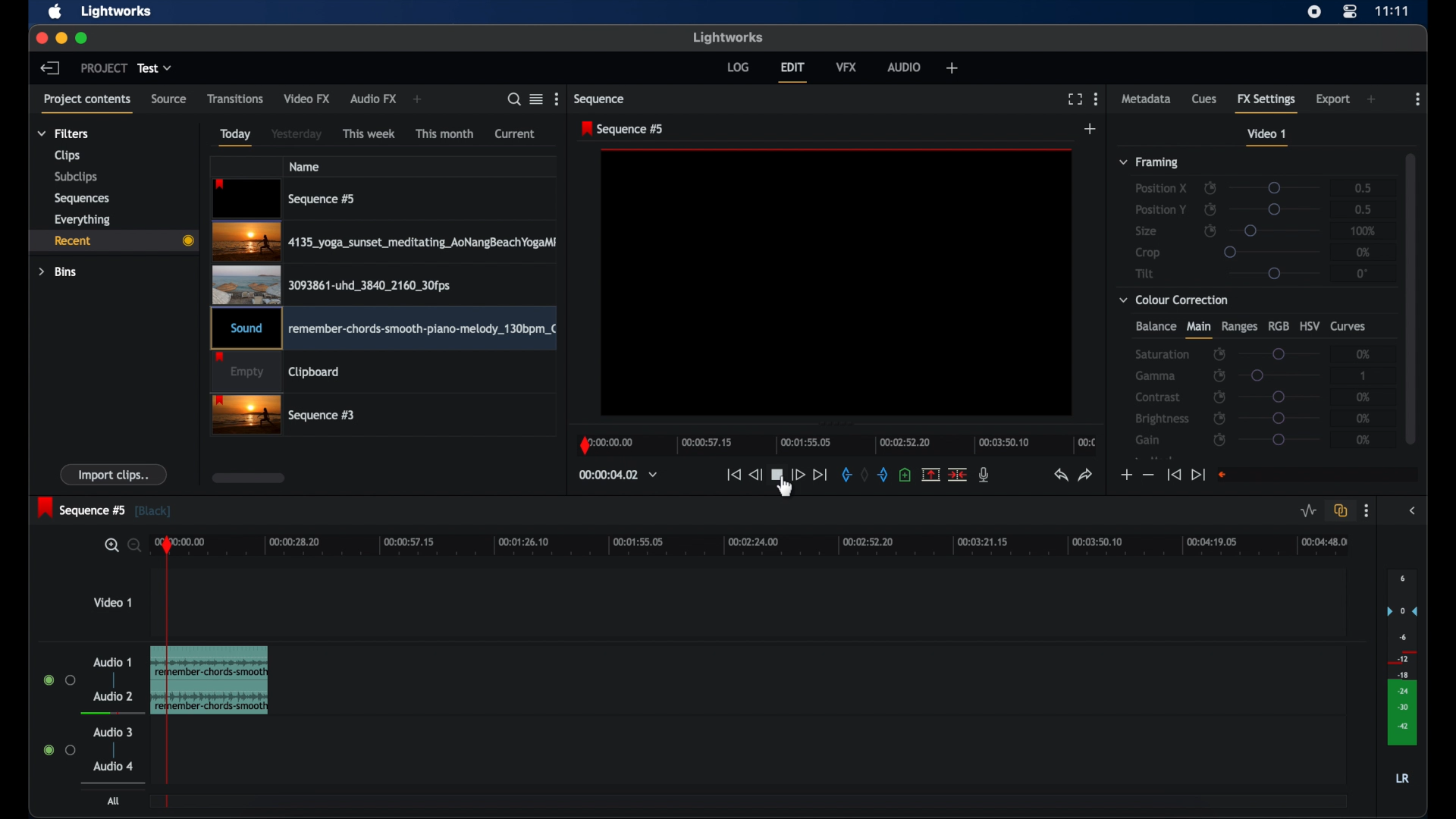 The height and width of the screenshot is (819, 1456). What do you see at coordinates (1148, 253) in the screenshot?
I see `crop` at bounding box center [1148, 253].